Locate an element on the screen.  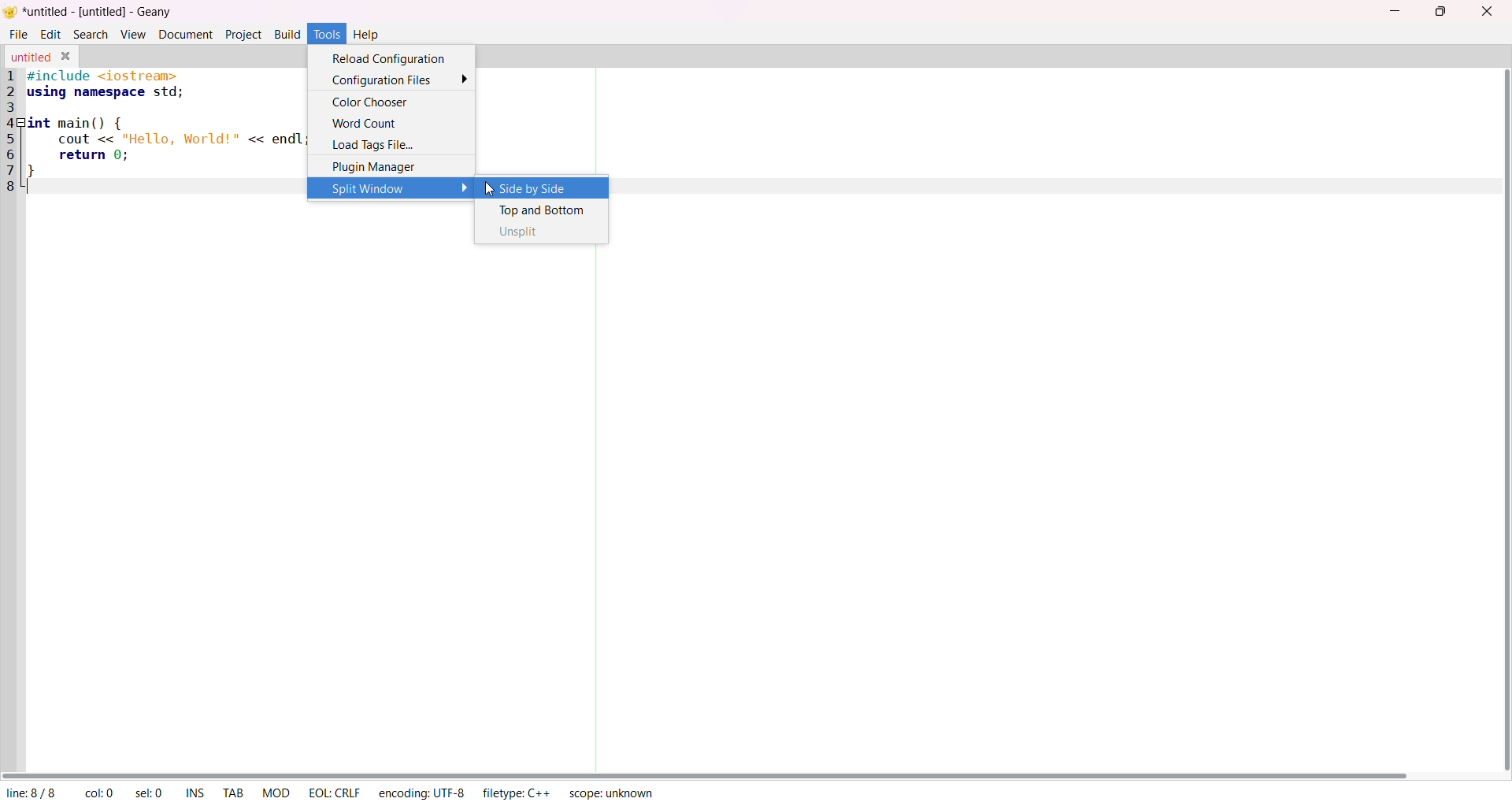
line: 8/8 is located at coordinates (32, 793).